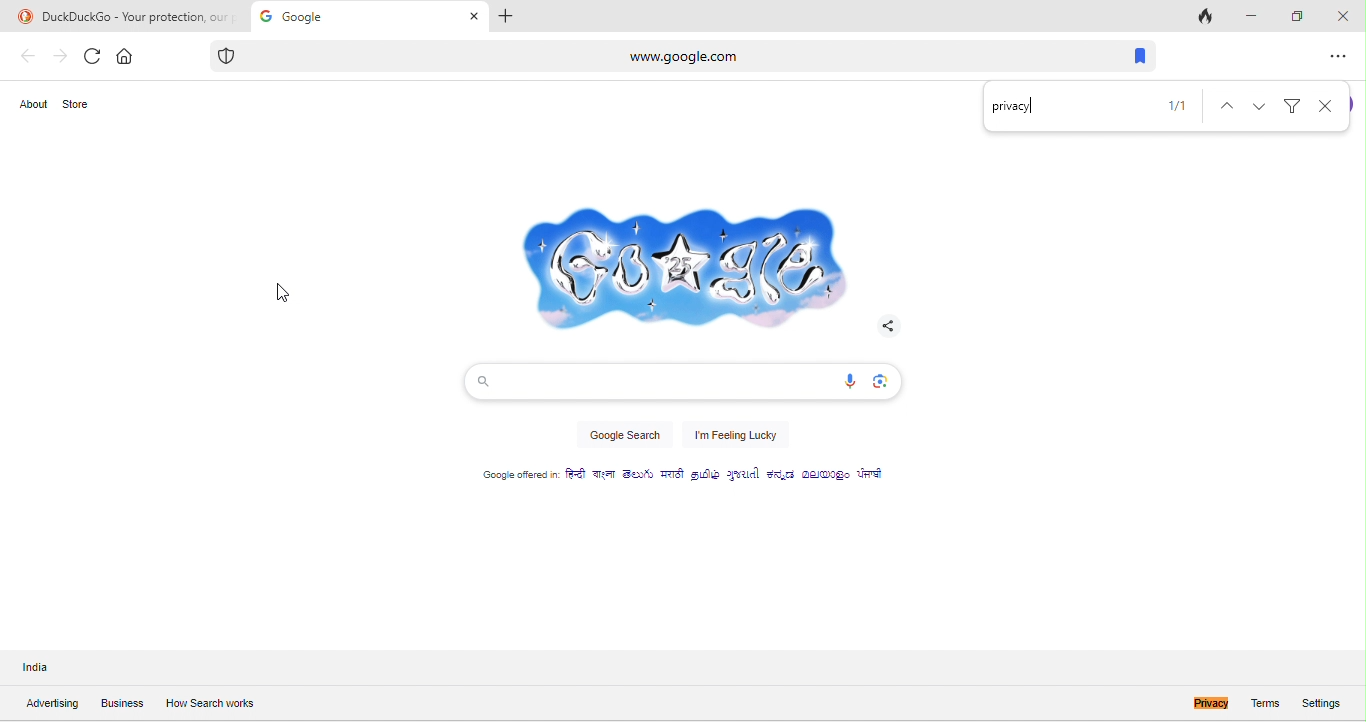 The width and height of the screenshot is (1366, 722). What do you see at coordinates (92, 57) in the screenshot?
I see `refresh` at bounding box center [92, 57].